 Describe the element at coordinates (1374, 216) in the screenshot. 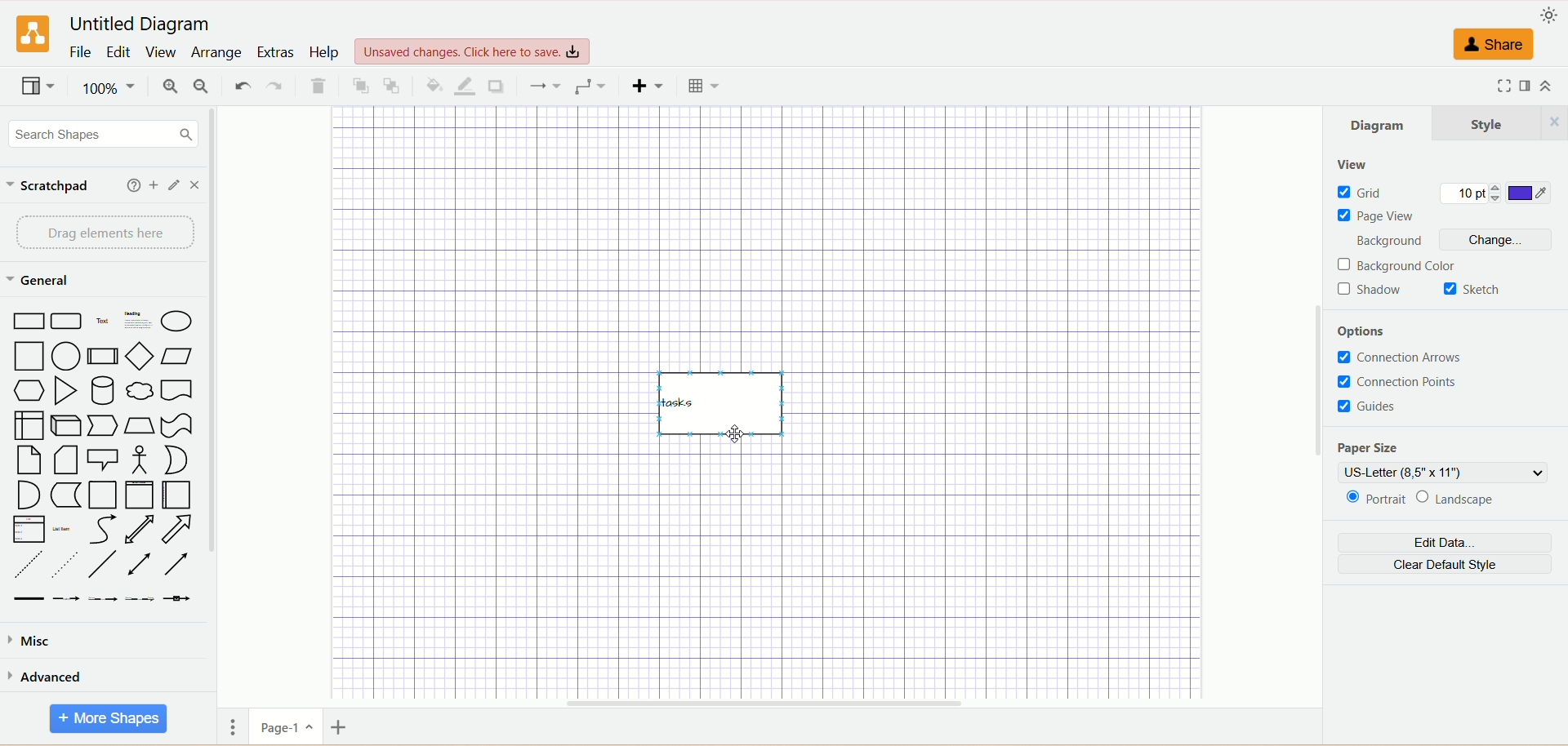

I see `page view` at that location.